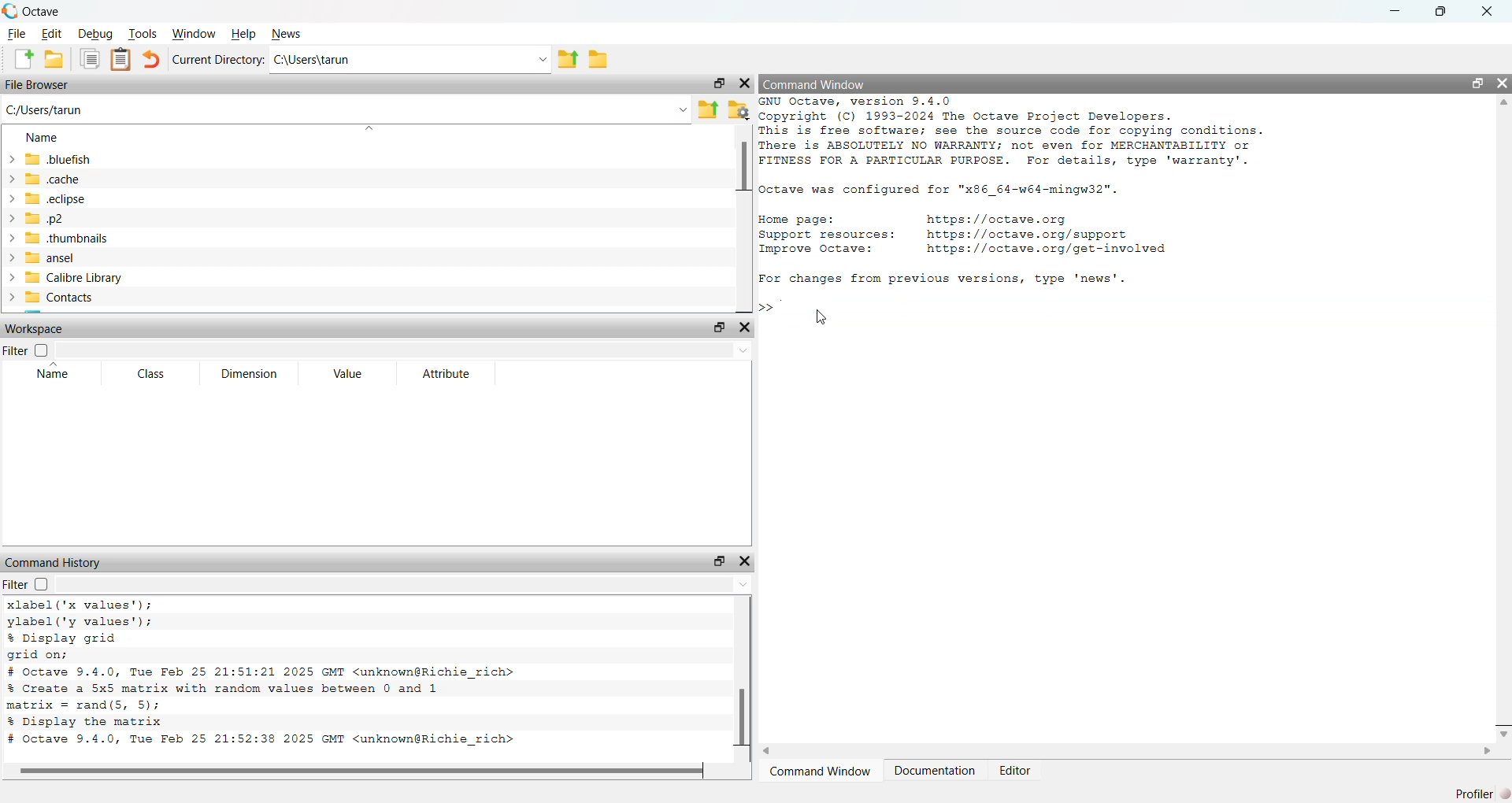  I want to click on C:/Users/tarun, so click(55, 109).